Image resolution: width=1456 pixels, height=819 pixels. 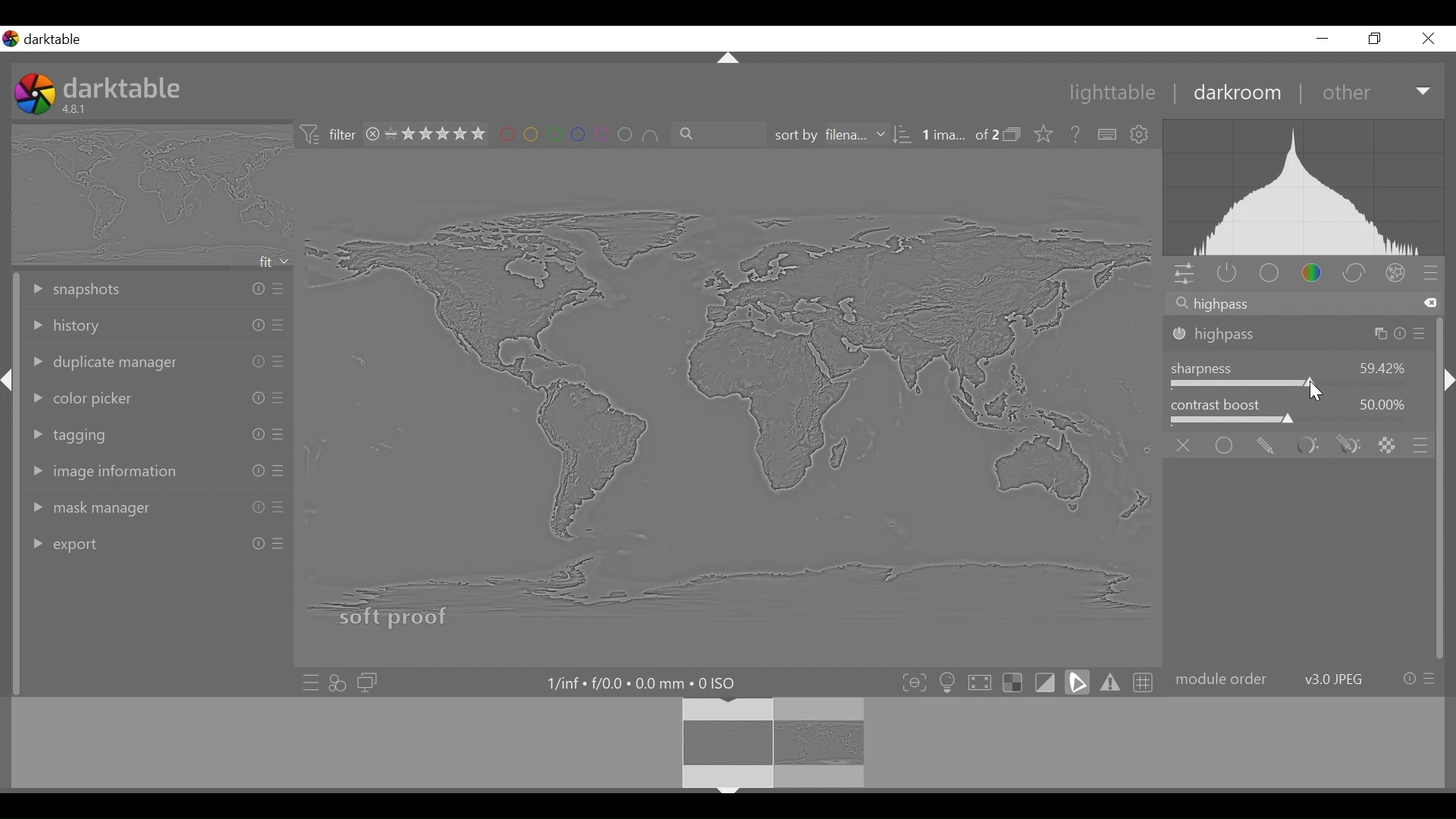 What do you see at coordinates (958, 135) in the screenshot?
I see `1 ima... of 2` at bounding box center [958, 135].